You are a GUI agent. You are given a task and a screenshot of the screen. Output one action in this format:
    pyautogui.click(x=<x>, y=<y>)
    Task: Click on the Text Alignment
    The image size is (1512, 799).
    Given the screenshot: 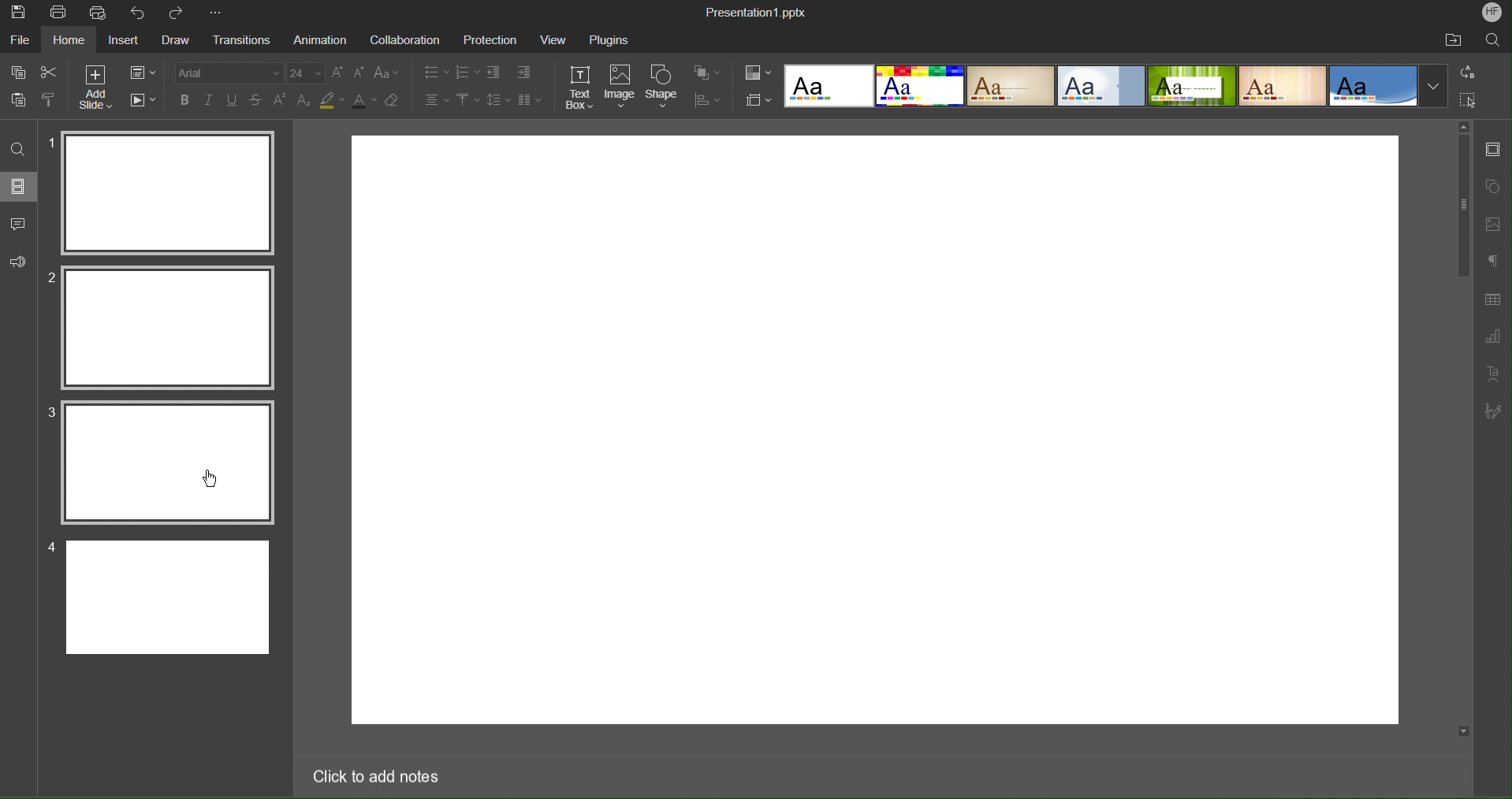 What is the action you would take?
    pyautogui.click(x=437, y=98)
    